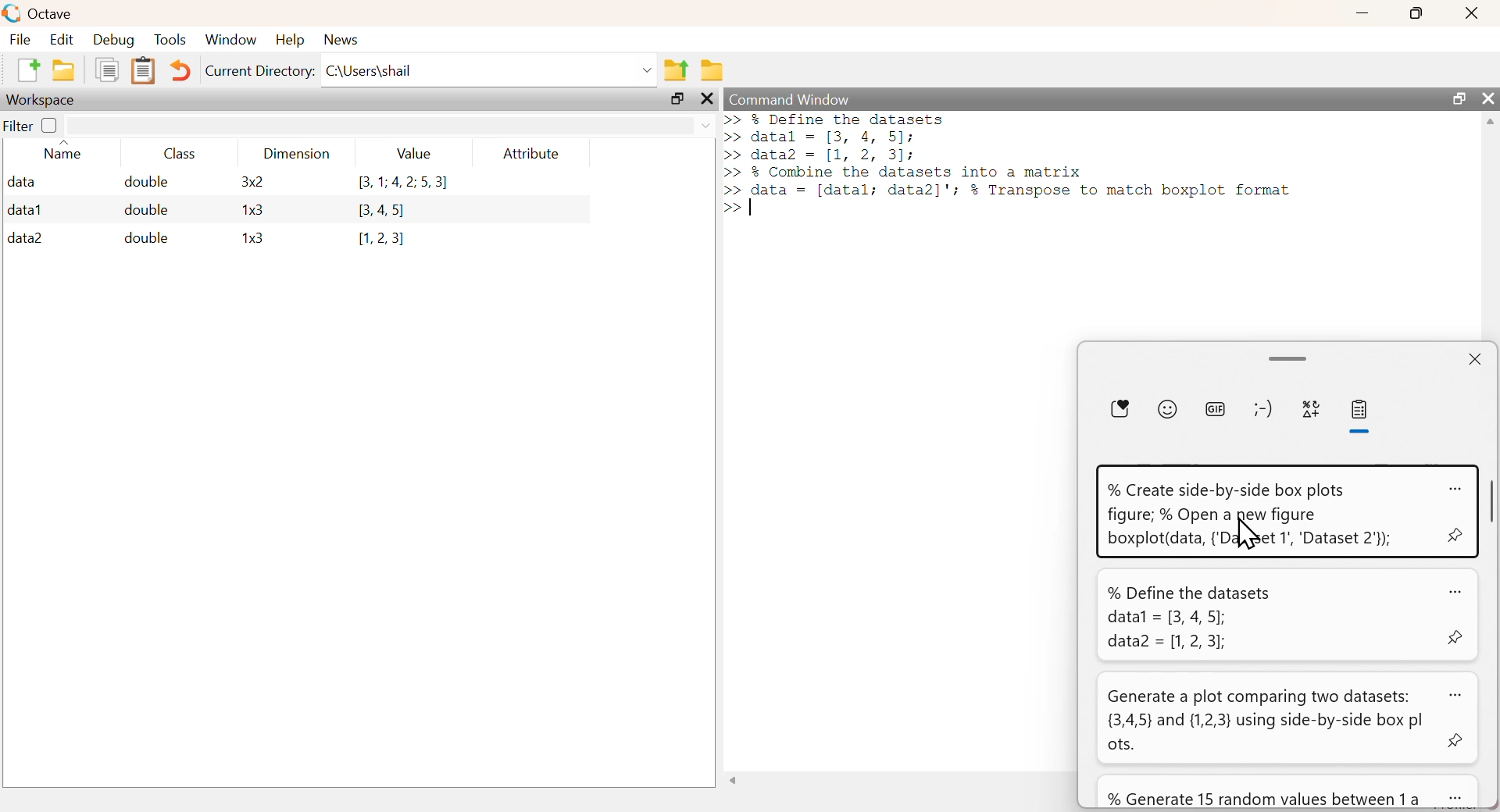 This screenshot has width=1500, height=812. What do you see at coordinates (1474, 359) in the screenshot?
I see `close` at bounding box center [1474, 359].